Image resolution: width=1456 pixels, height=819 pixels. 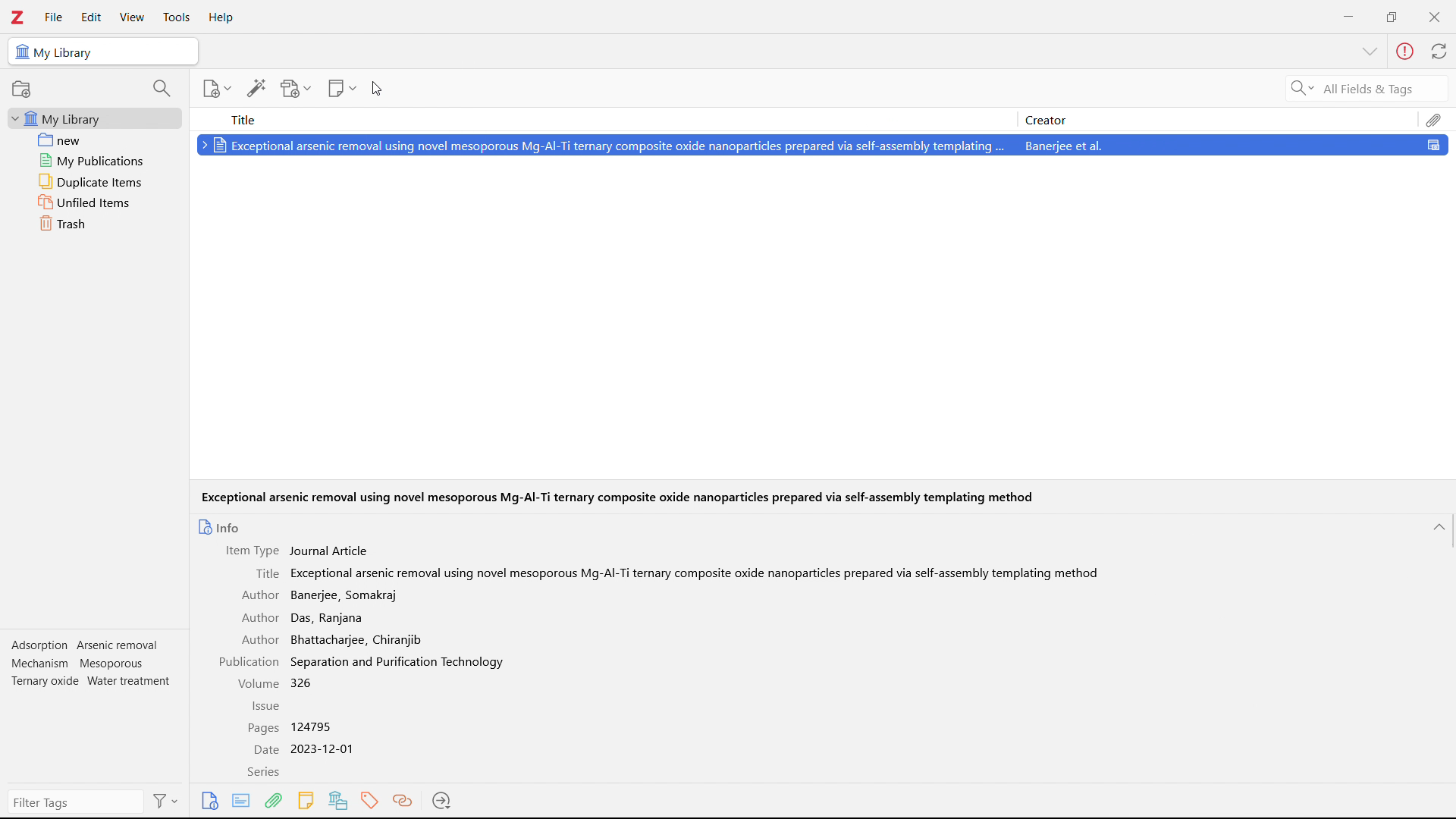 I want to click on my publications, so click(x=94, y=160).